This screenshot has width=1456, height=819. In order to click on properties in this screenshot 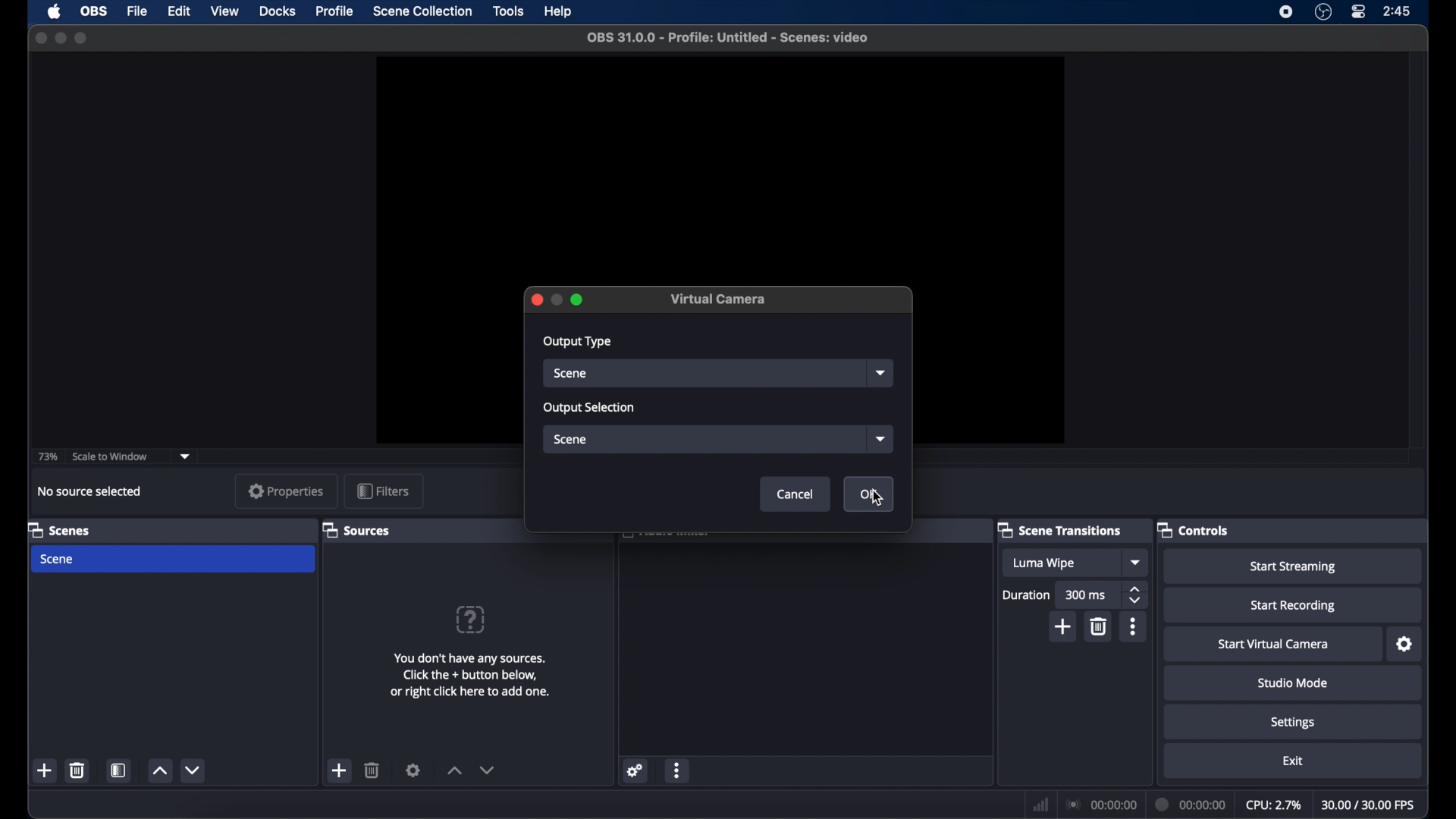, I will do `click(286, 491)`.